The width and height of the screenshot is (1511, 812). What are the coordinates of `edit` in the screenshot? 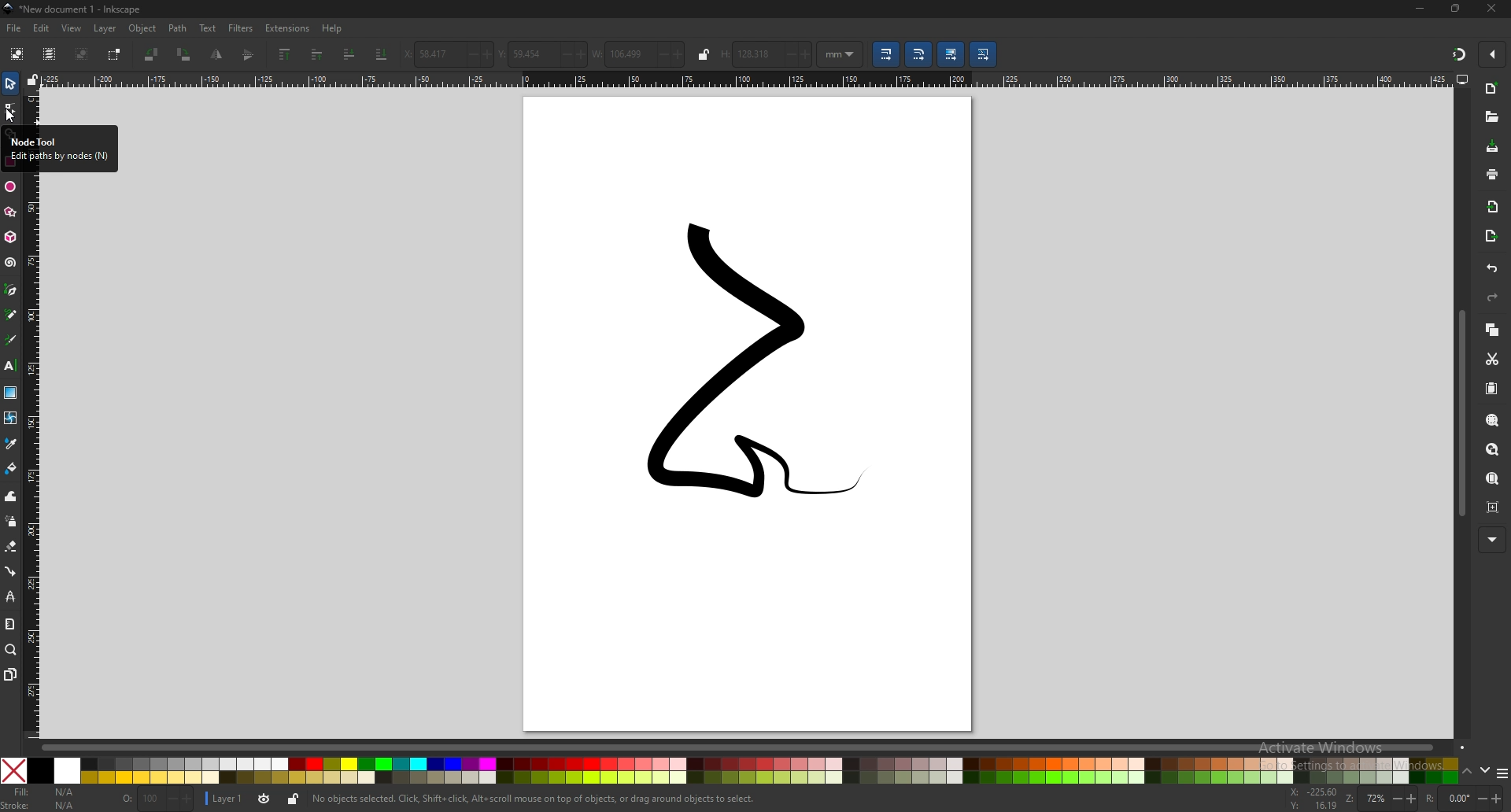 It's located at (43, 28).